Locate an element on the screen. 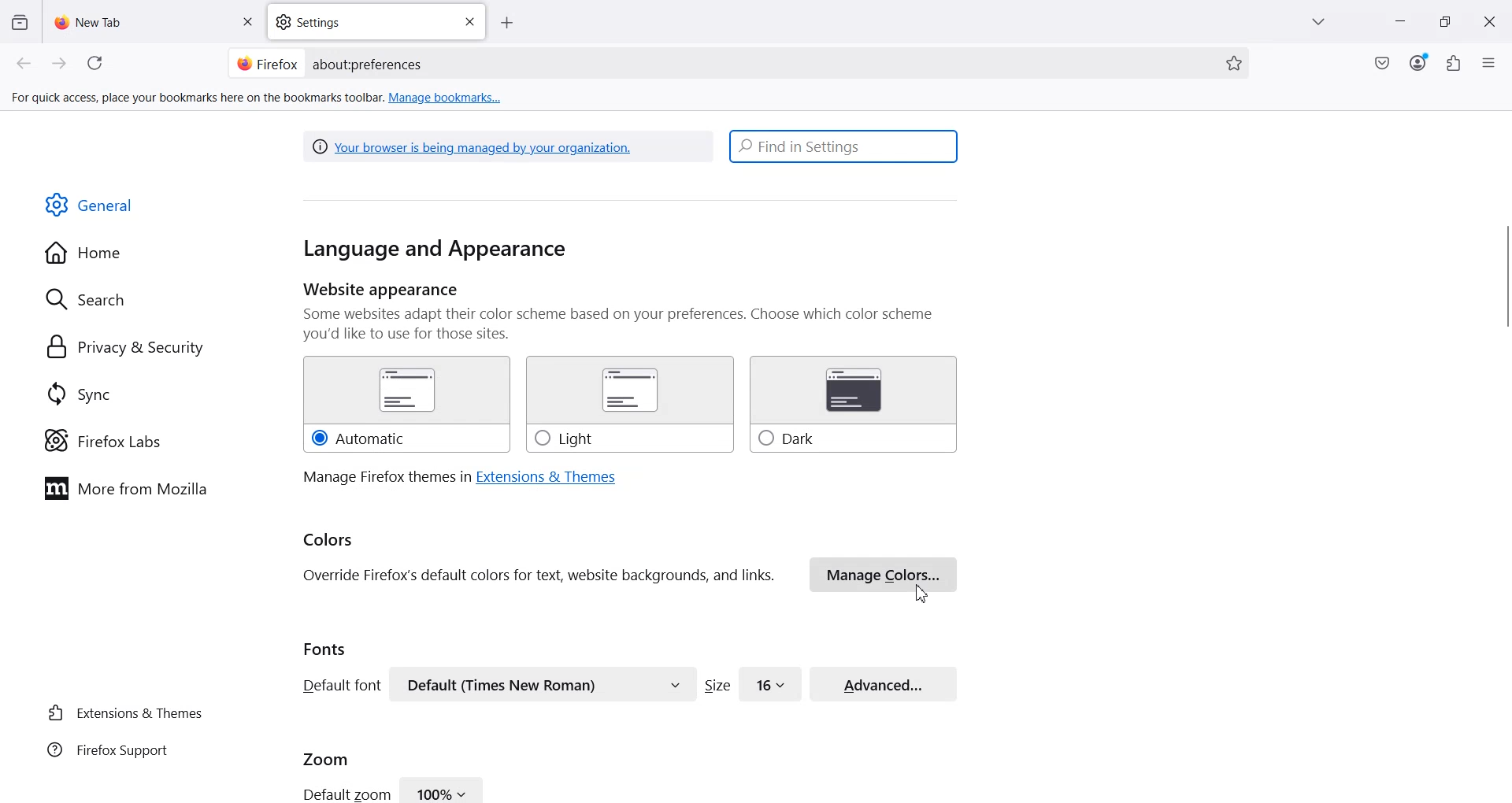  Manage Firefox themes in Extensions & Themes is located at coordinates (459, 477).